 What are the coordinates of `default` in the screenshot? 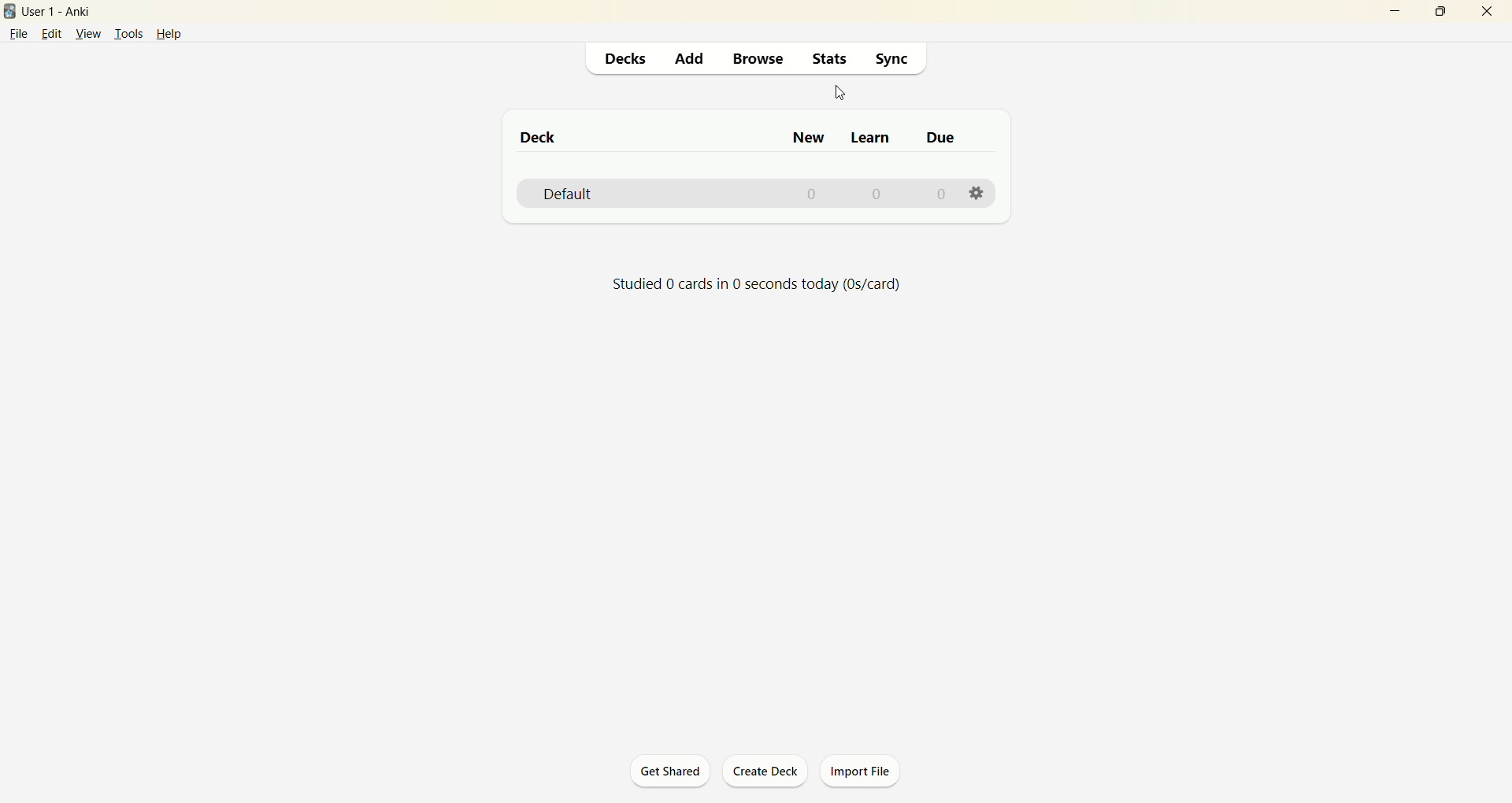 It's located at (569, 195).